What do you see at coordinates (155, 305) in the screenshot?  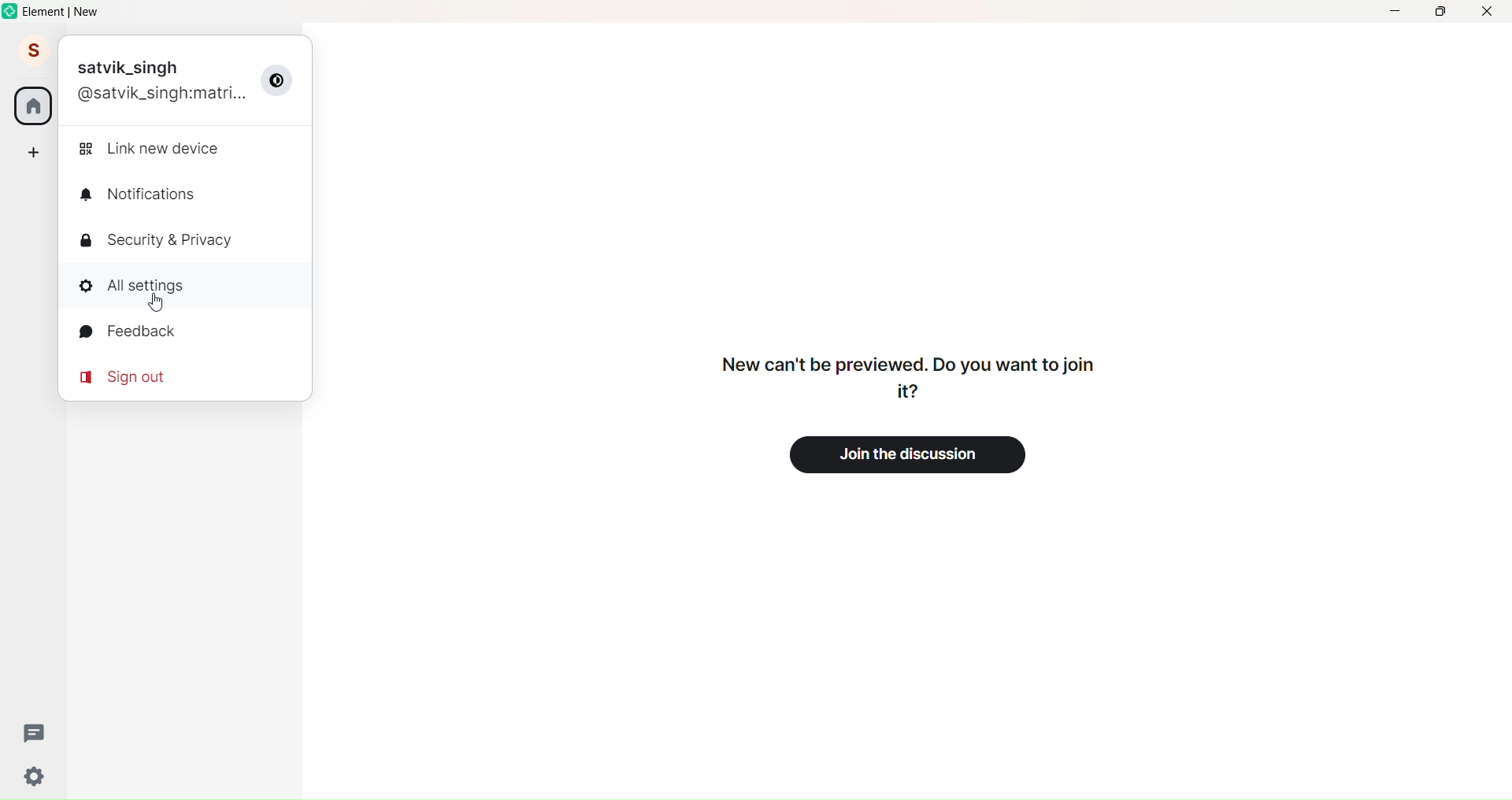 I see `cursor` at bounding box center [155, 305].